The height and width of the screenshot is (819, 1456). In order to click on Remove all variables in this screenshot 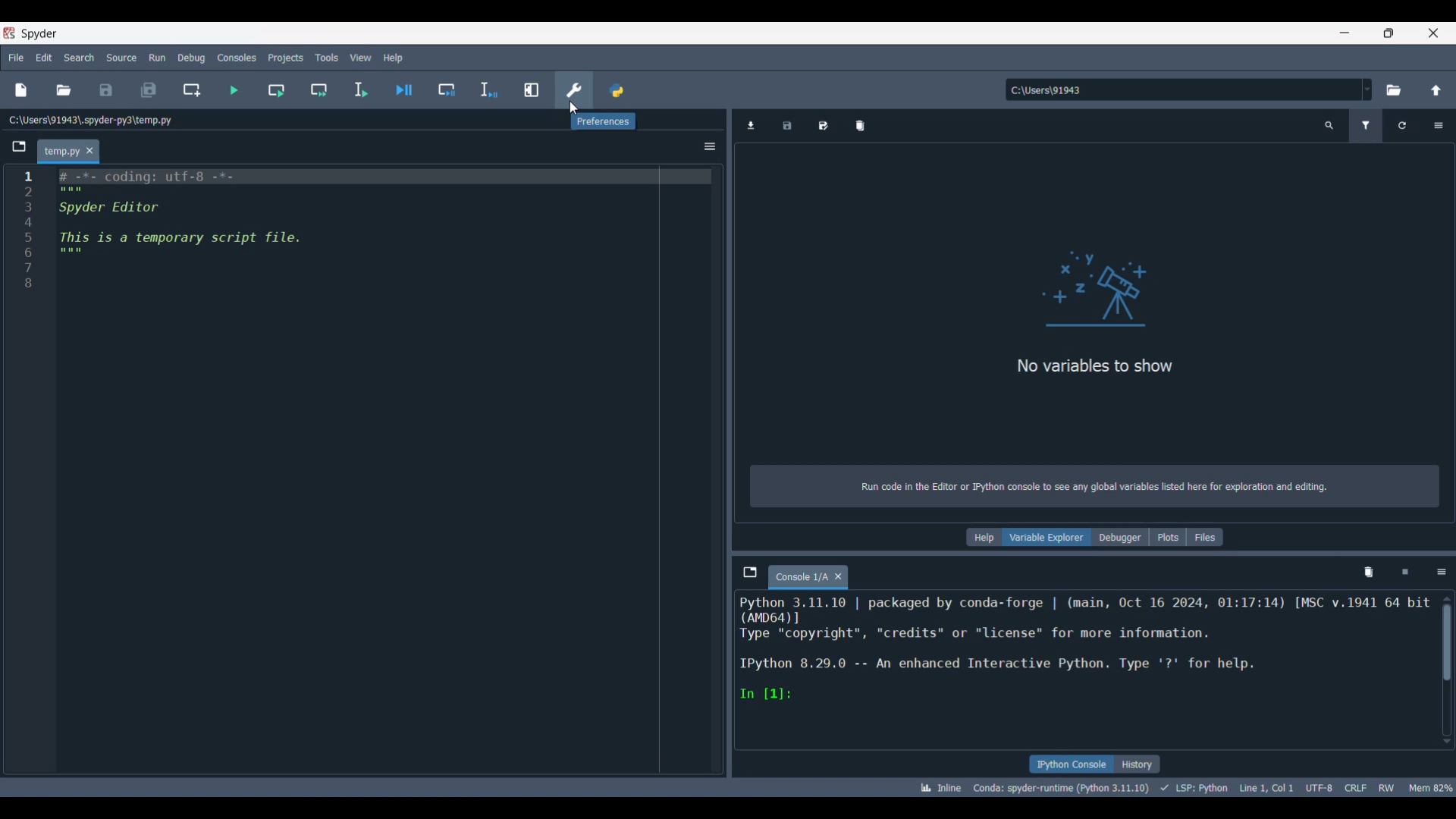, I will do `click(860, 126)`.